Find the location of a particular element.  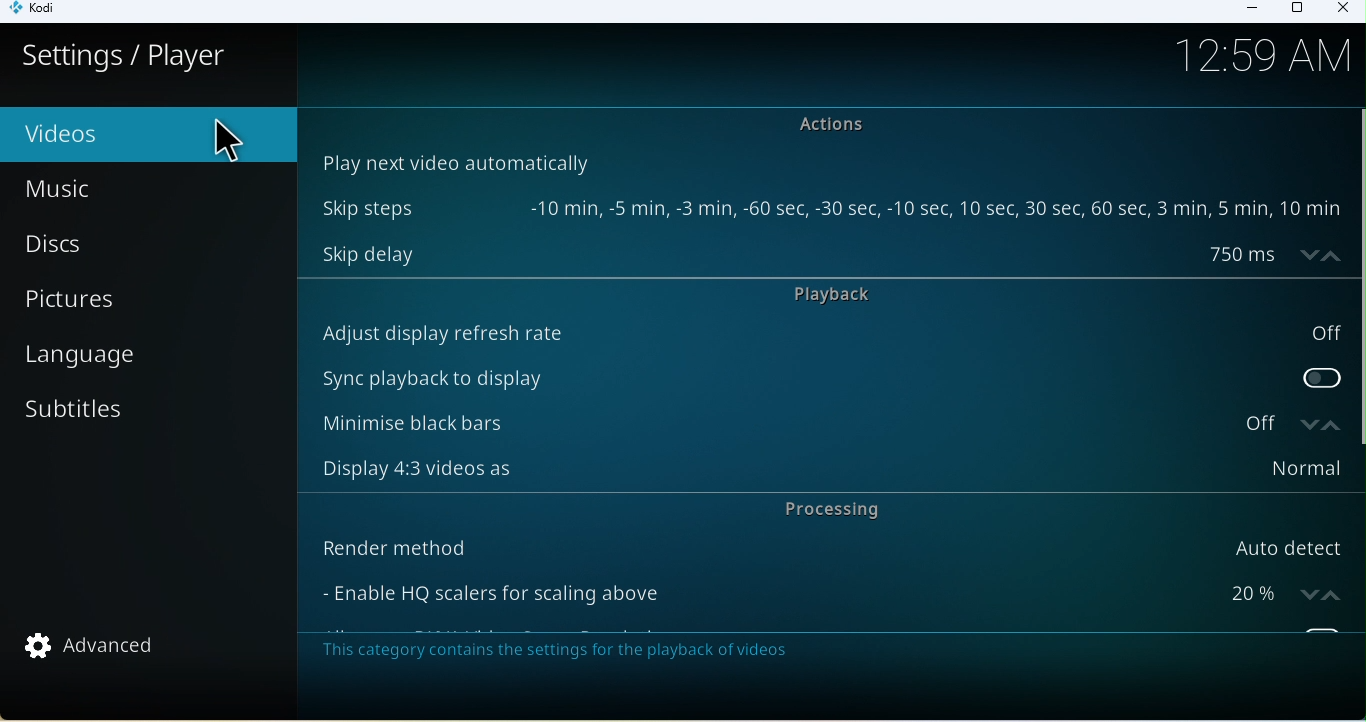

Kodi icon is located at coordinates (41, 12).